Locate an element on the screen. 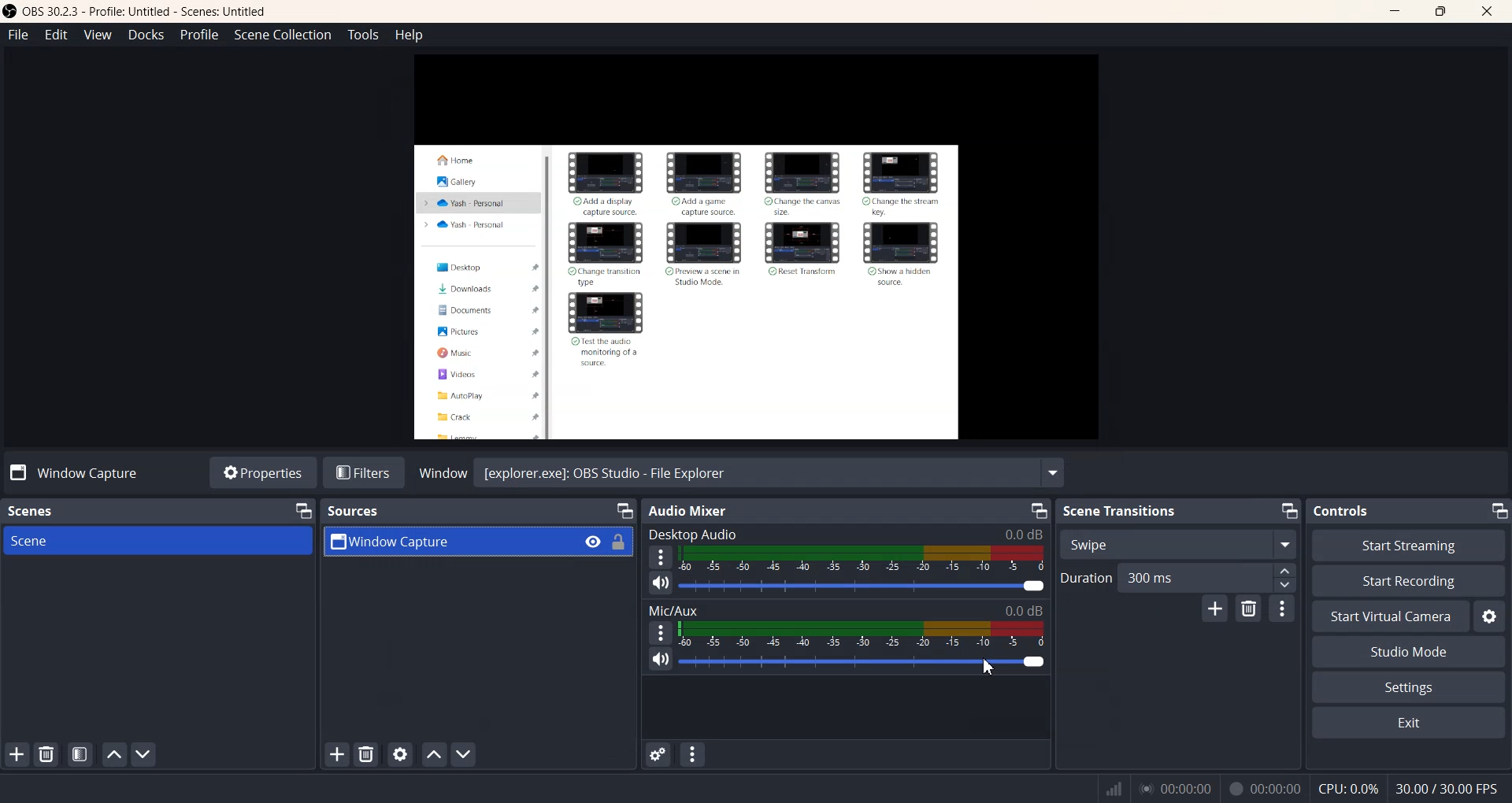  Start Recording is located at coordinates (1409, 581).